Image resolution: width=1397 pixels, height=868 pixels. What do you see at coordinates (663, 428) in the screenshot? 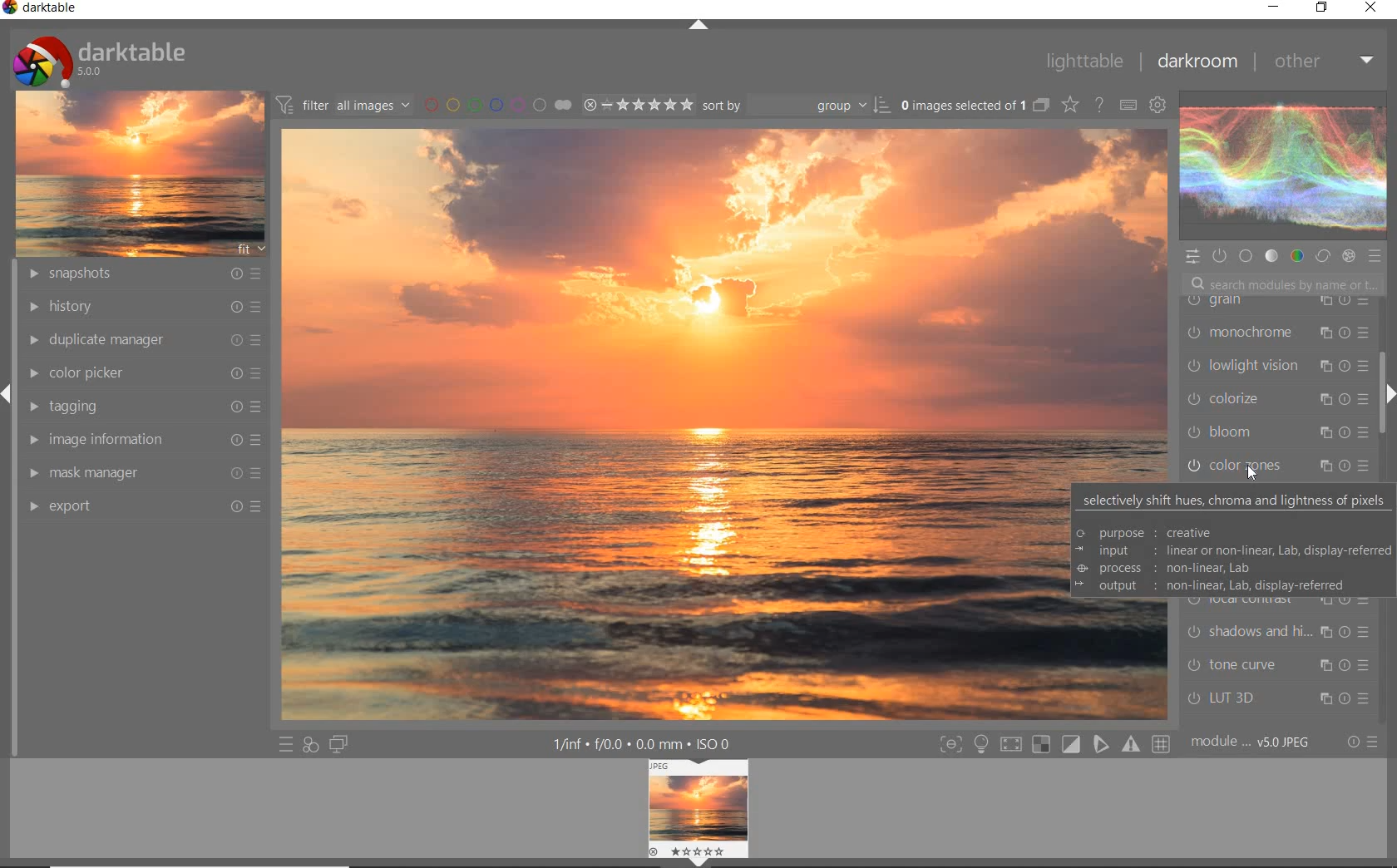
I see `SELECTED IMAGE` at bounding box center [663, 428].